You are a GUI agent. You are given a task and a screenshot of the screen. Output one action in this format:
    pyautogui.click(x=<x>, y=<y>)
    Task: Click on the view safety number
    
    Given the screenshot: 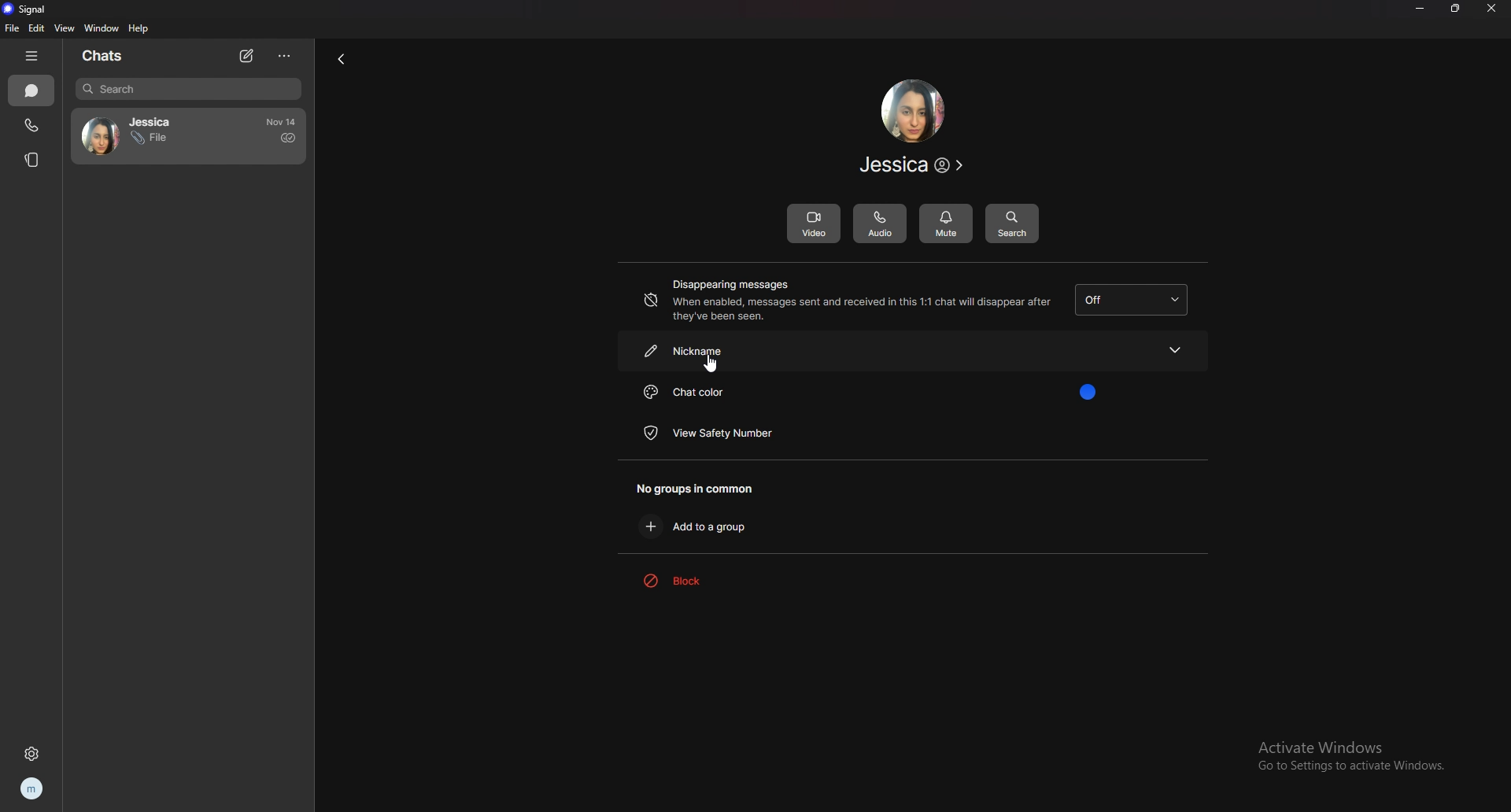 What is the action you would take?
    pyautogui.click(x=709, y=432)
    